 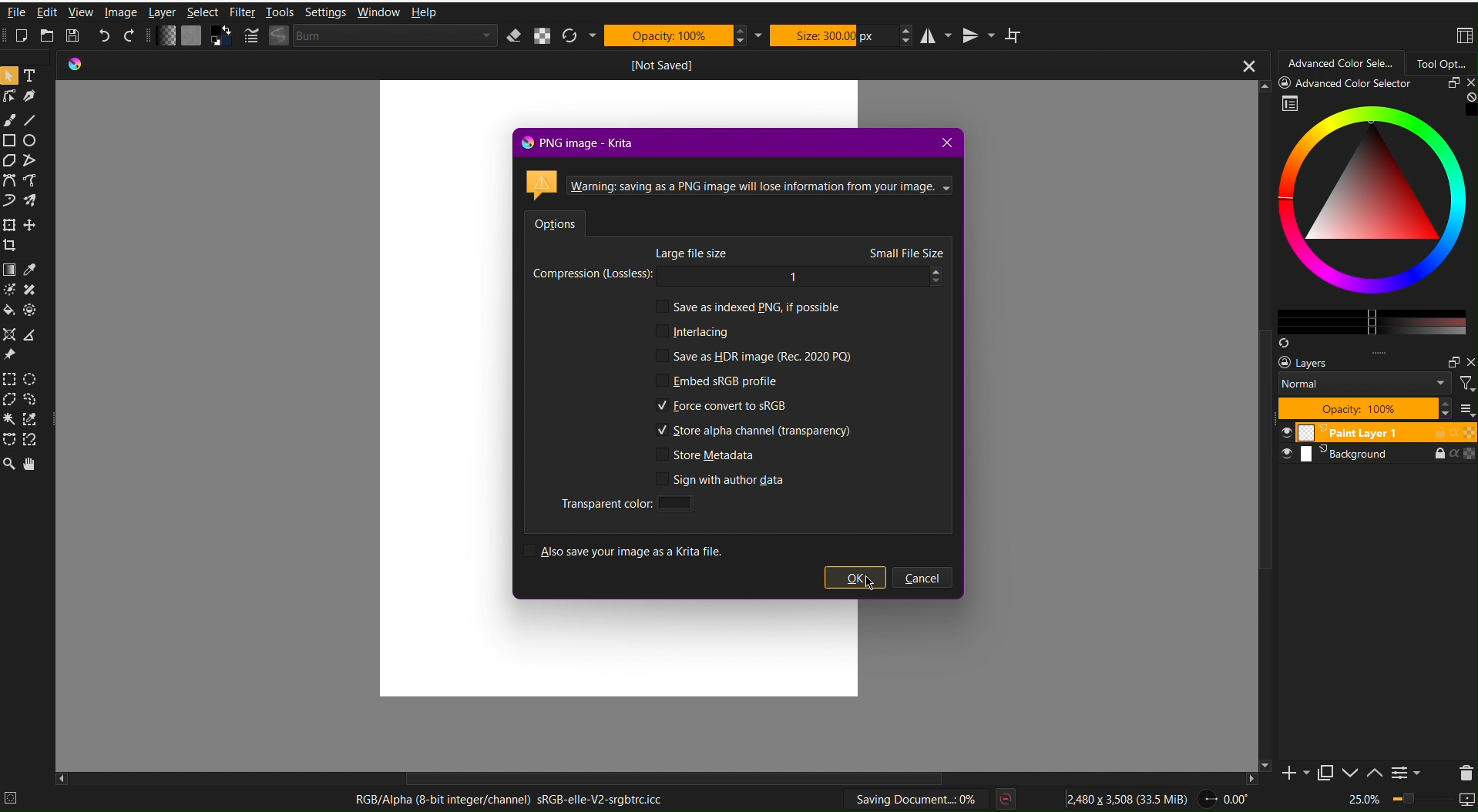 What do you see at coordinates (575, 35) in the screenshot?
I see `Refresh` at bounding box center [575, 35].